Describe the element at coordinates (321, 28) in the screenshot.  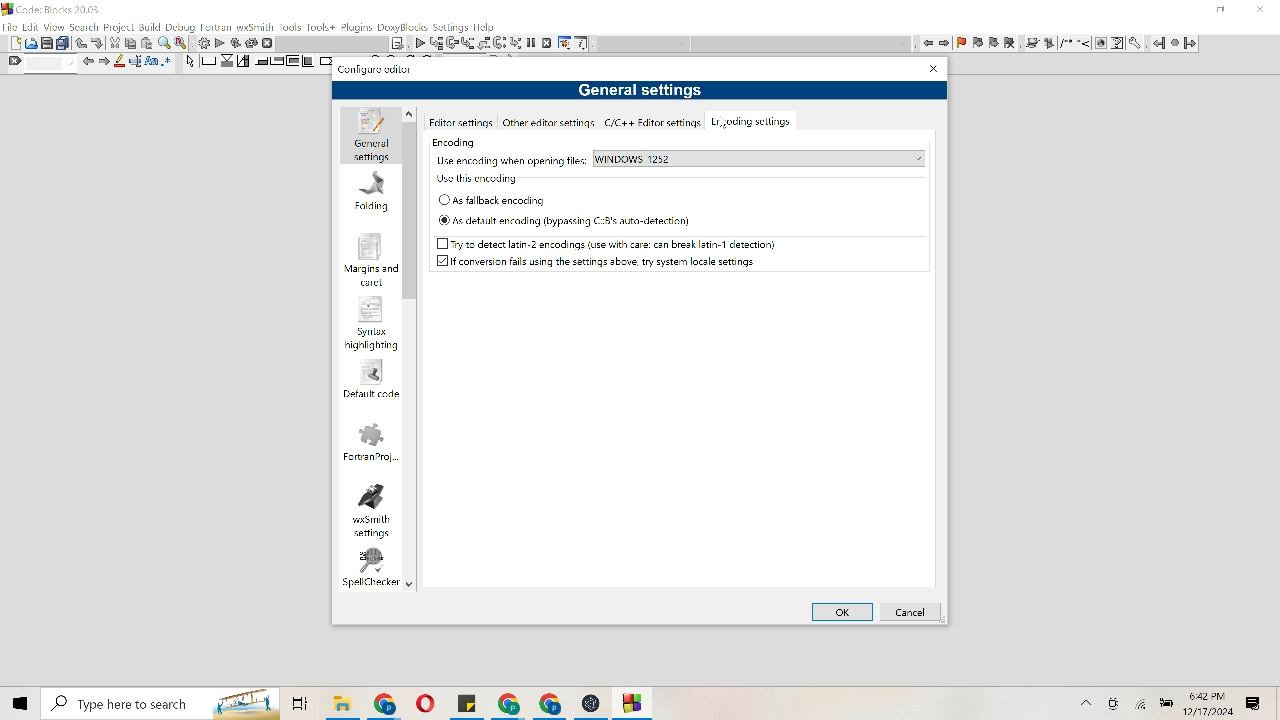
I see `Tools+` at that location.